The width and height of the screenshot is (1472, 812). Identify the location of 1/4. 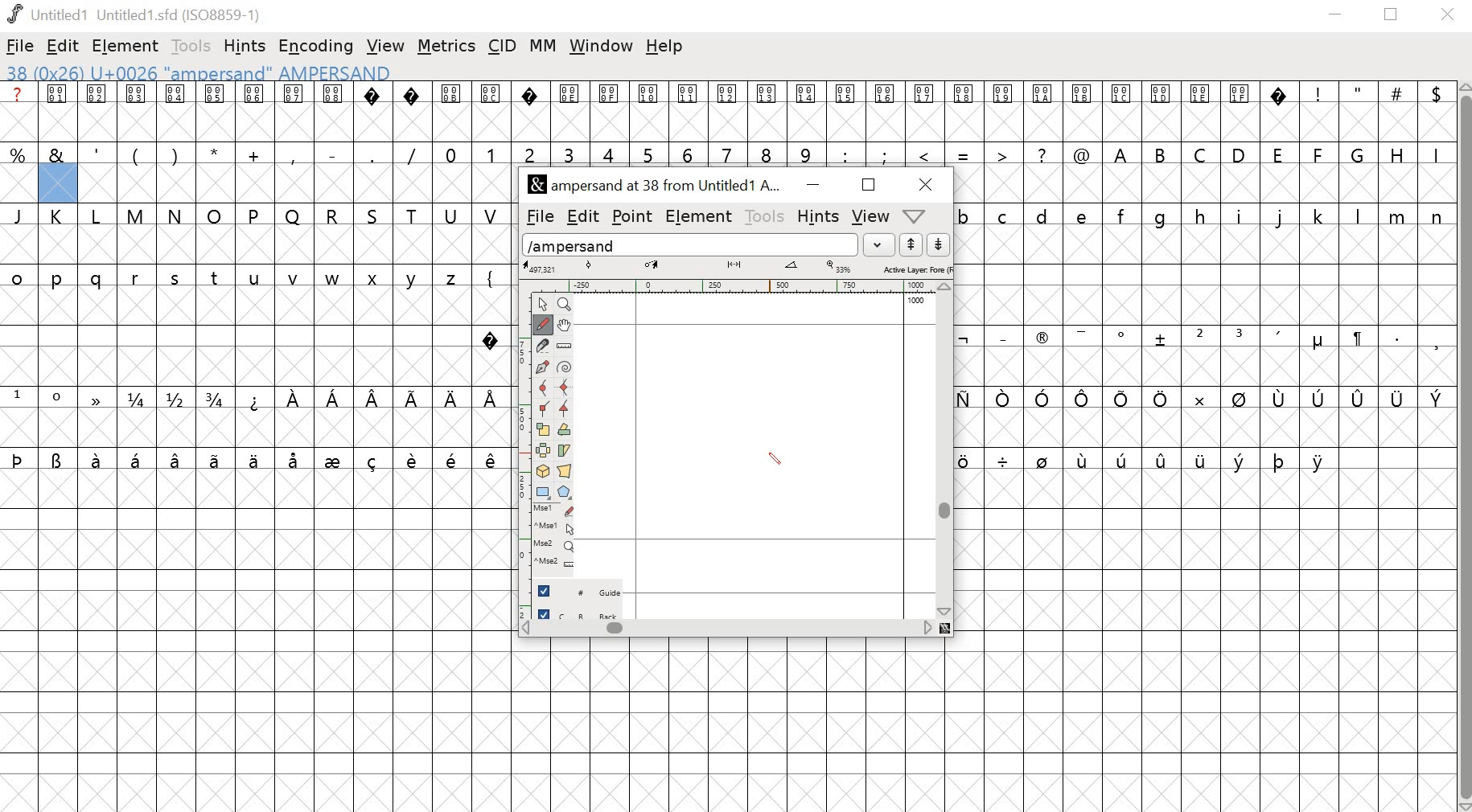
(139, 400).